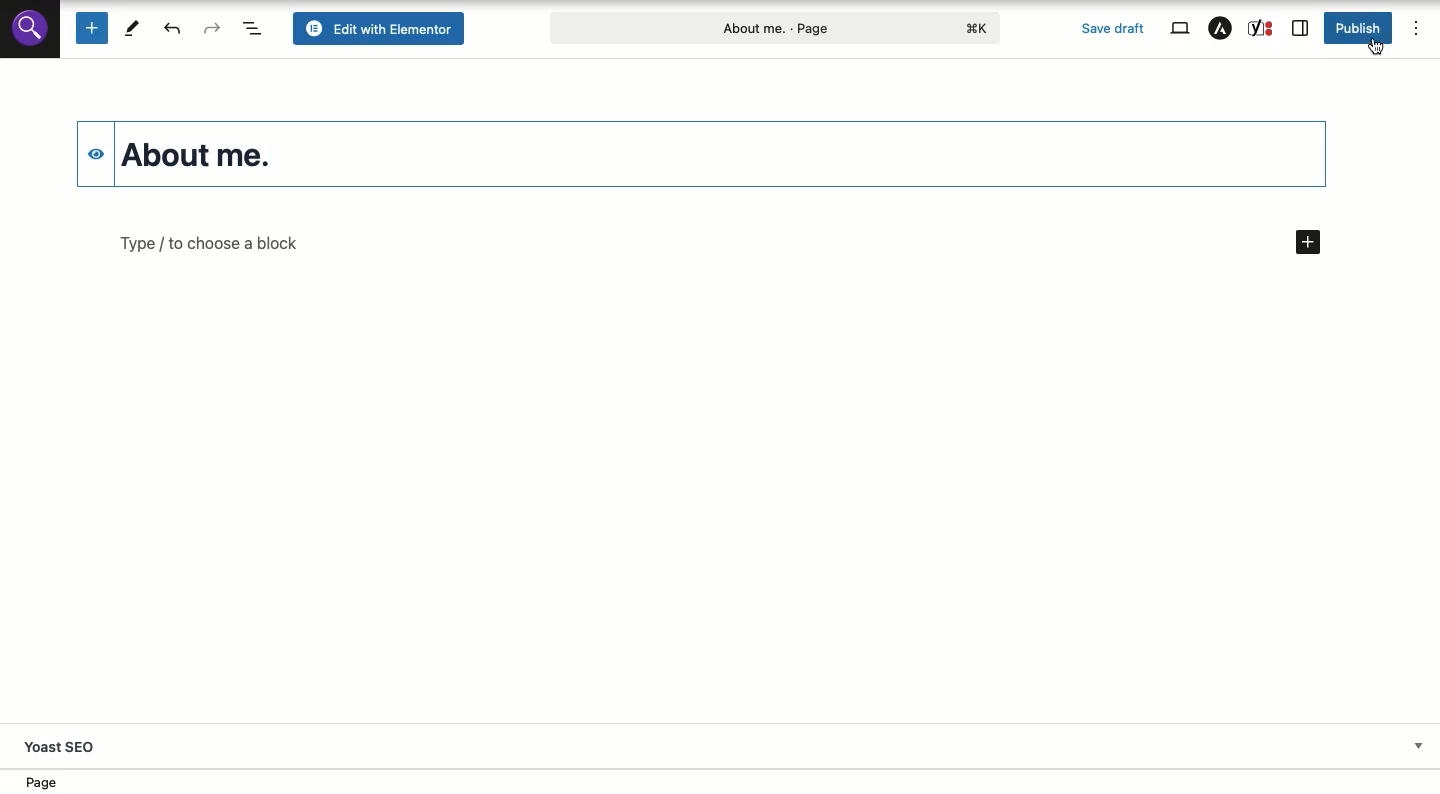 Image resolution: width=1440 pixels, height=794 pixels. Describe the element at coordinates (175, 28) in the screenshot. I see `Undo` at that location.